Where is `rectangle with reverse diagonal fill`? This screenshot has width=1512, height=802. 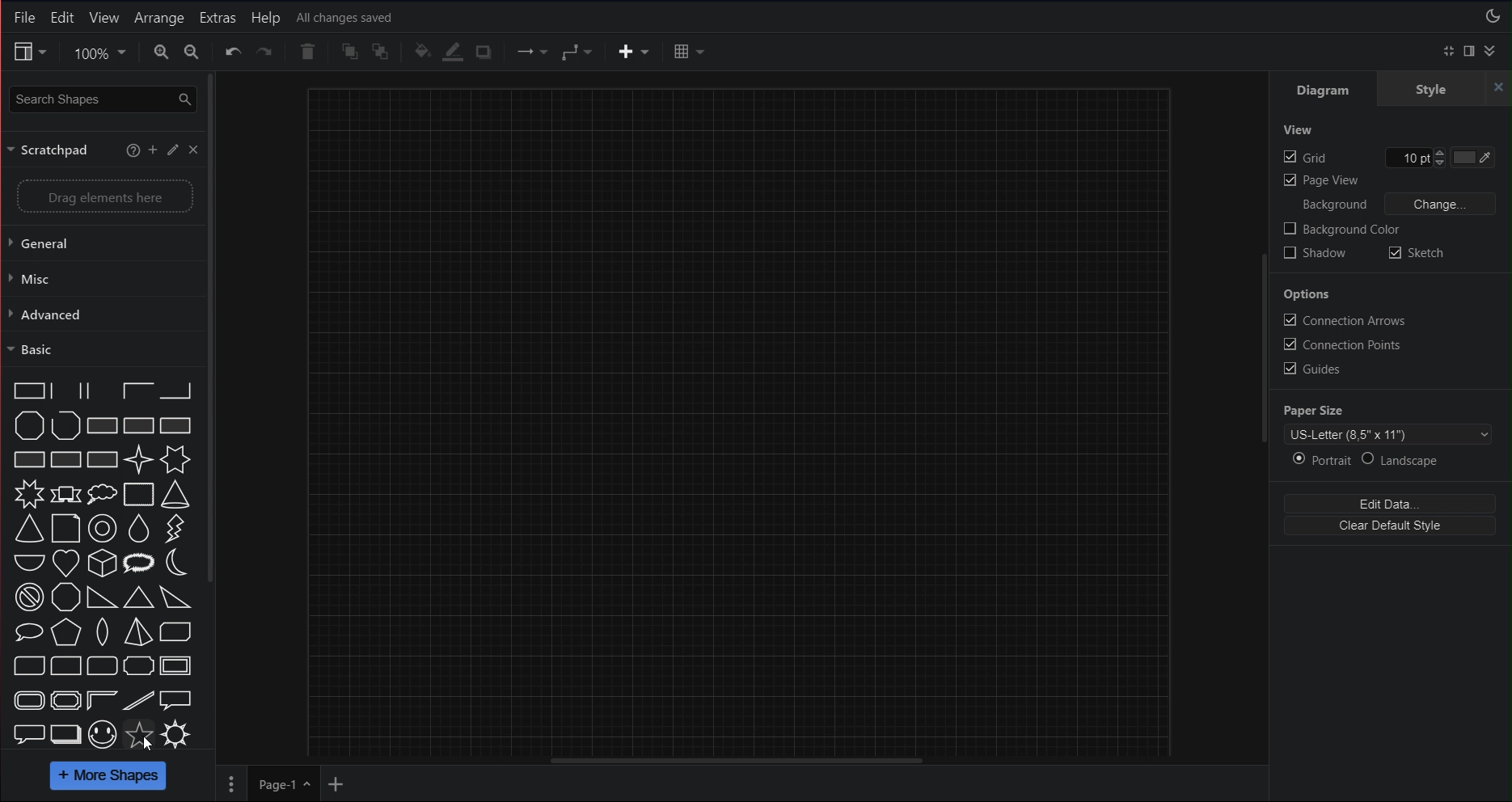 rectangle with reverse diagonal fill is located at coordinates (139, 425).